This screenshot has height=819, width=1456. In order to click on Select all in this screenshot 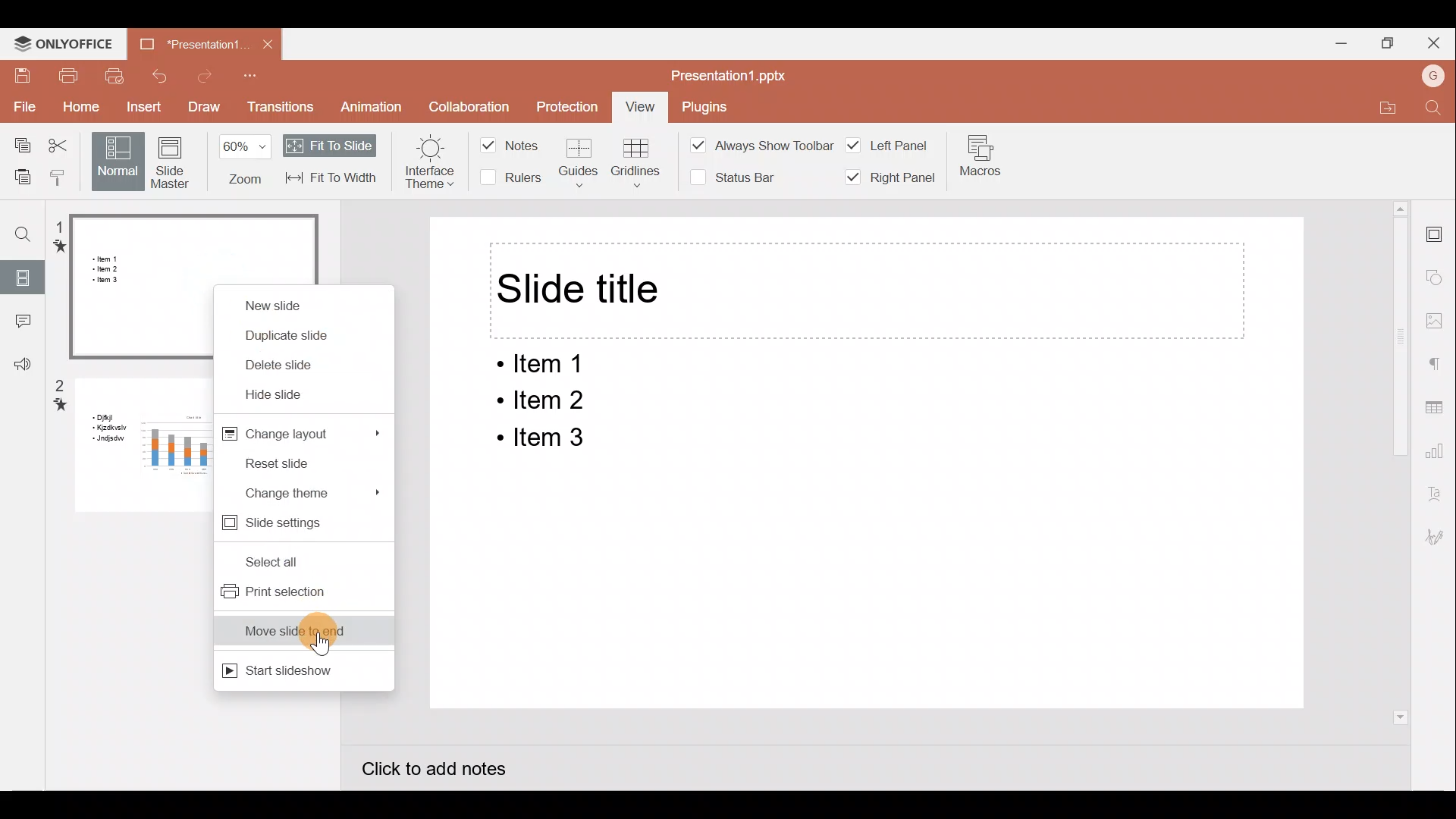, I will do `click(292, 557)`.